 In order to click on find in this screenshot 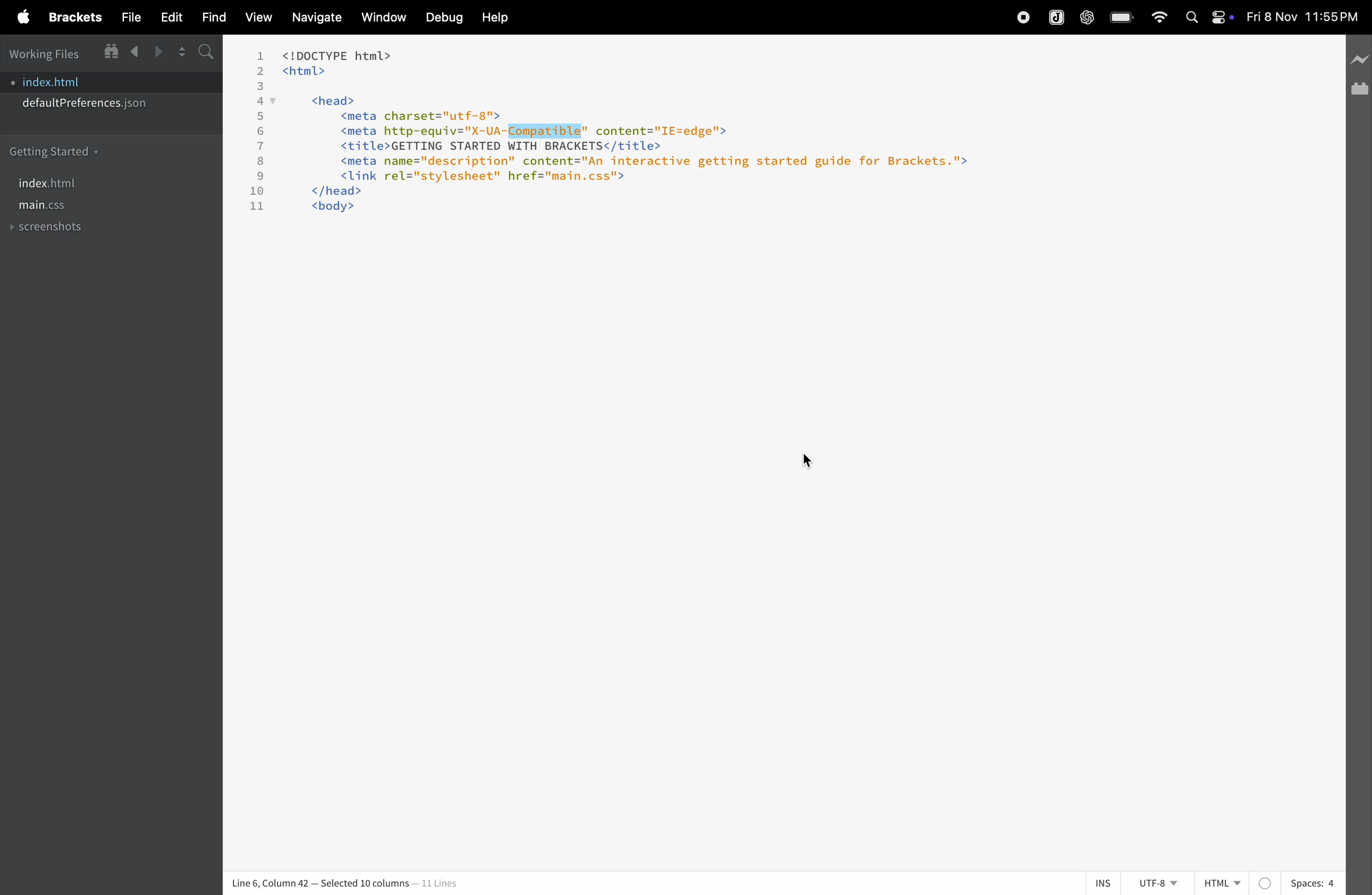, I will do `click(211, 17)`.